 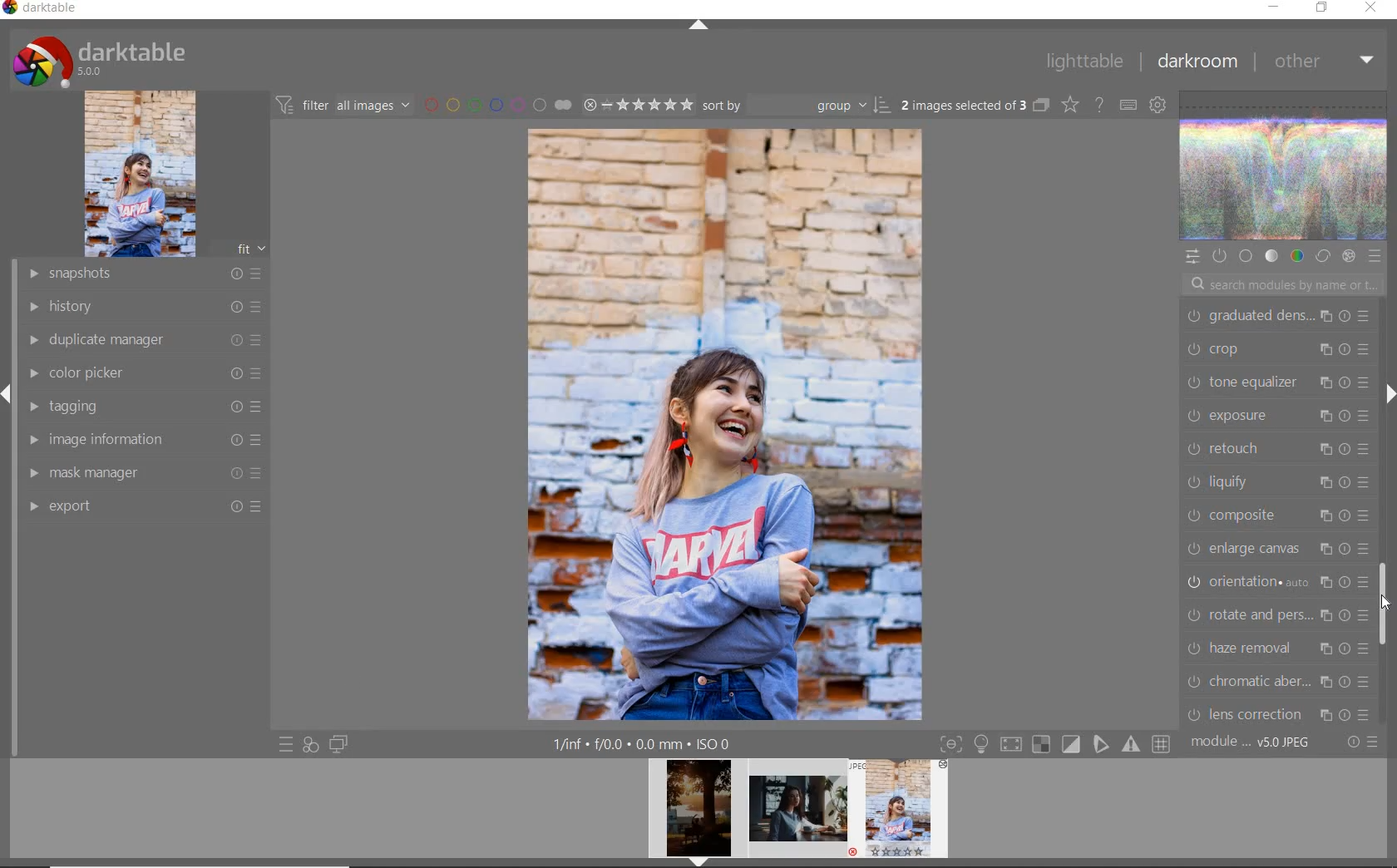 I want to click on tagging, so click(x=140, y=405).